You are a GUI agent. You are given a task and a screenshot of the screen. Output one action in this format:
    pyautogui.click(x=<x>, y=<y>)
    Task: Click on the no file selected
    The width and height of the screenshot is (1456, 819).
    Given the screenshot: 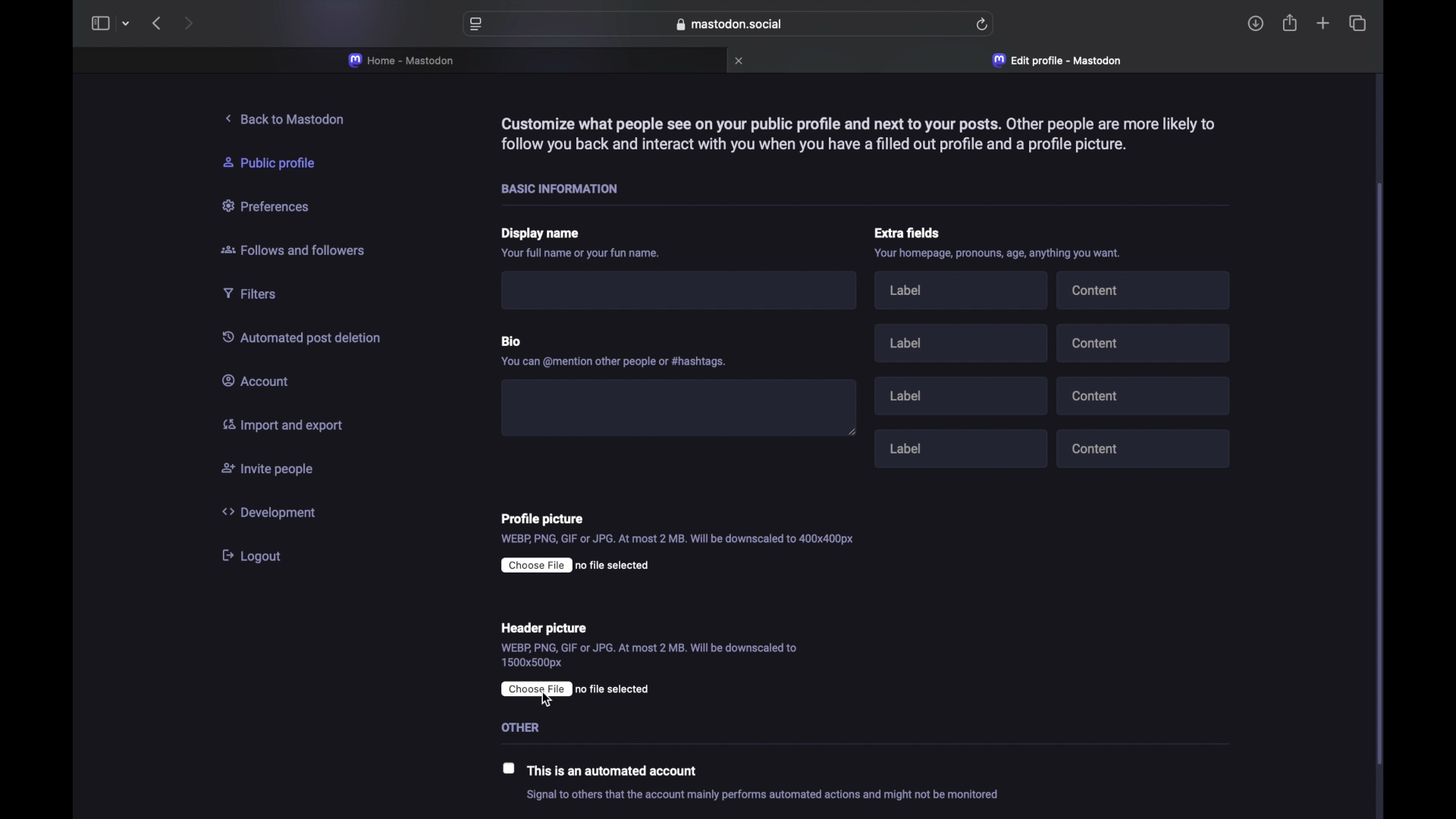 What is the action you would take?
    pyautogui.click(x=576, y=566)
    